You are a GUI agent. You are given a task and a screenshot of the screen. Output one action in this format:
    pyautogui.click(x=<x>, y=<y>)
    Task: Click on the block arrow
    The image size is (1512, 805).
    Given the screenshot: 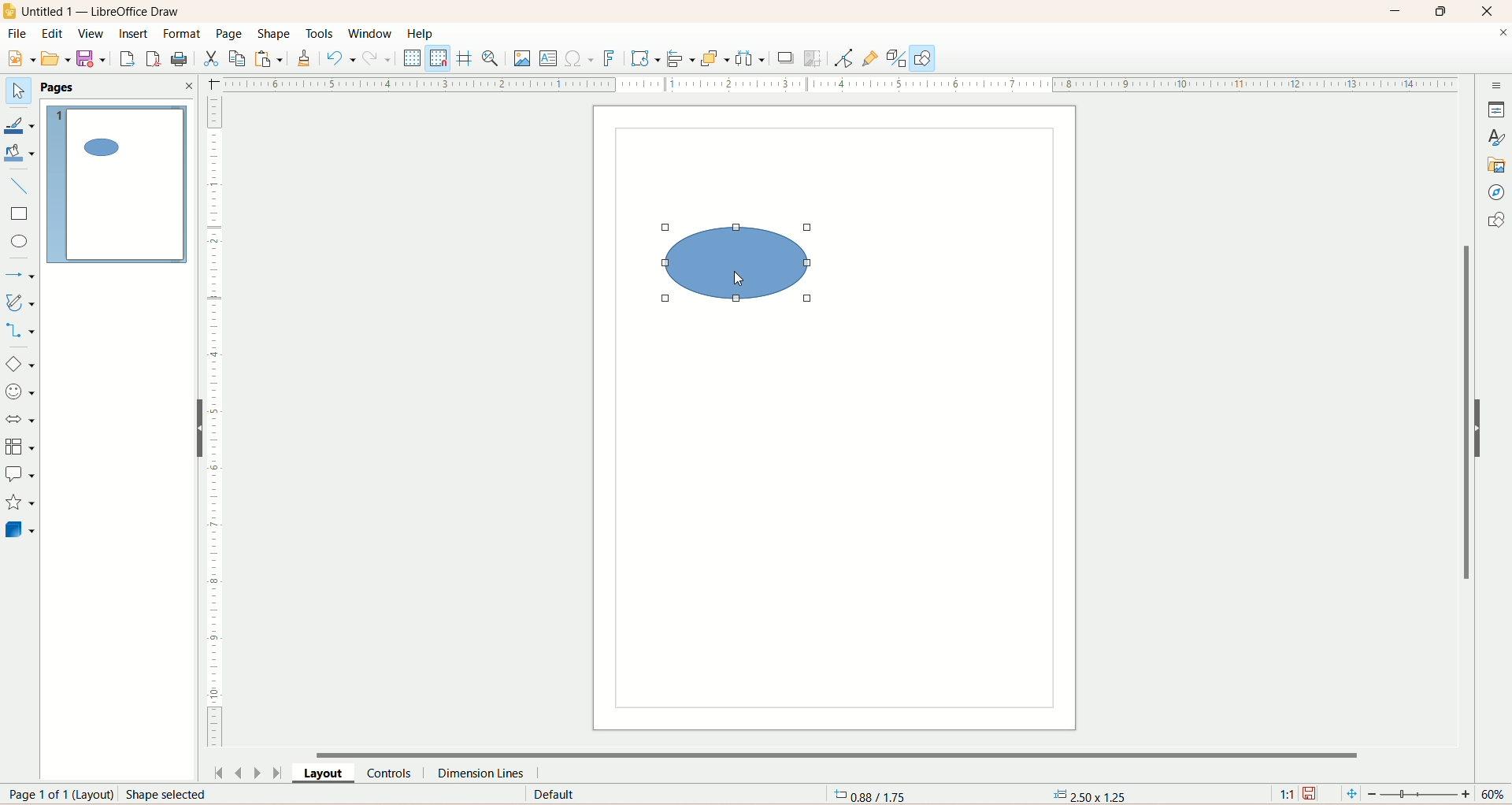 What is the action you would take?
    pyautogui.click(x=19, y=421)
    